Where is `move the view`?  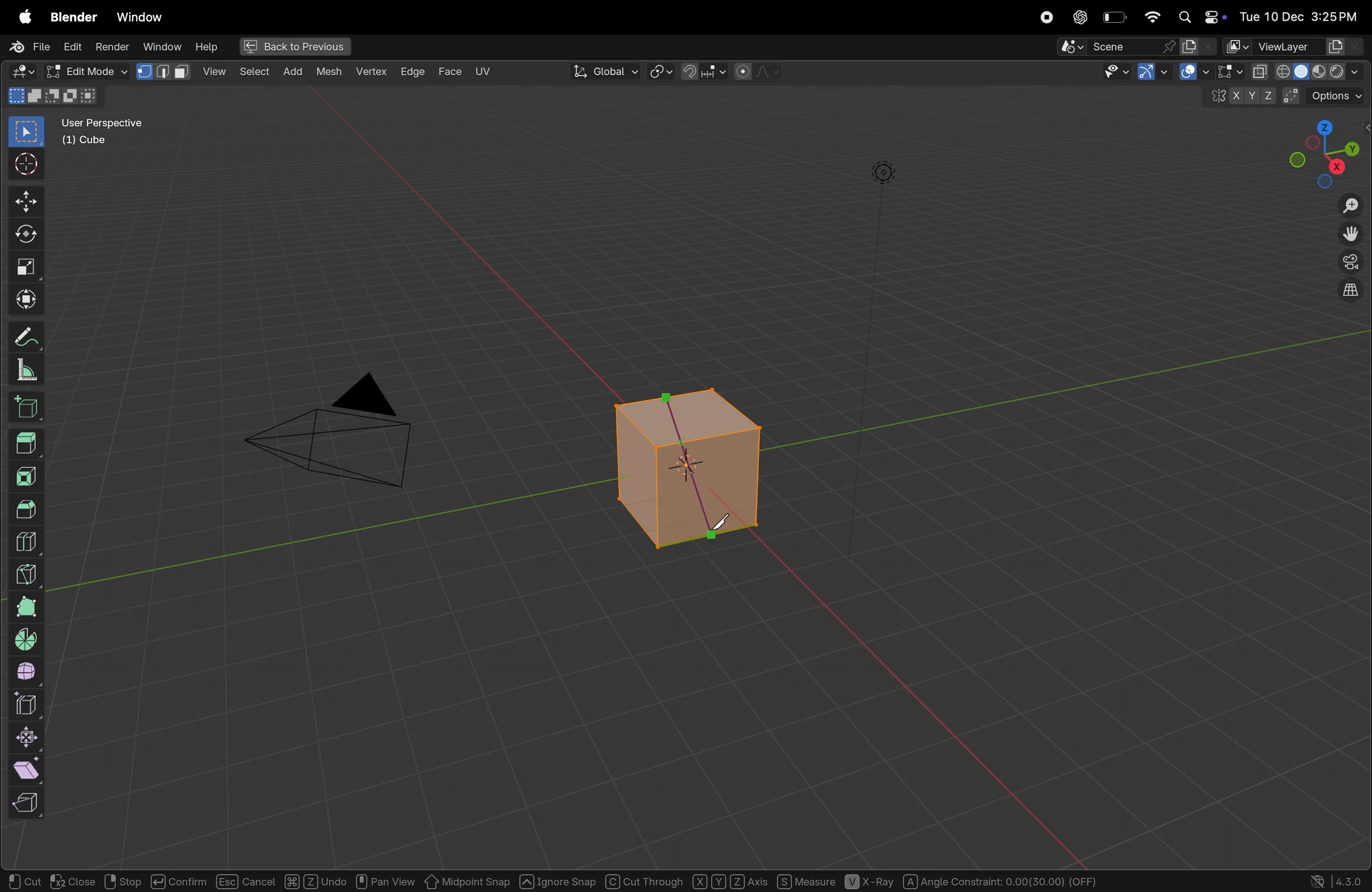
move the view is located at coordinates (1351, 235).